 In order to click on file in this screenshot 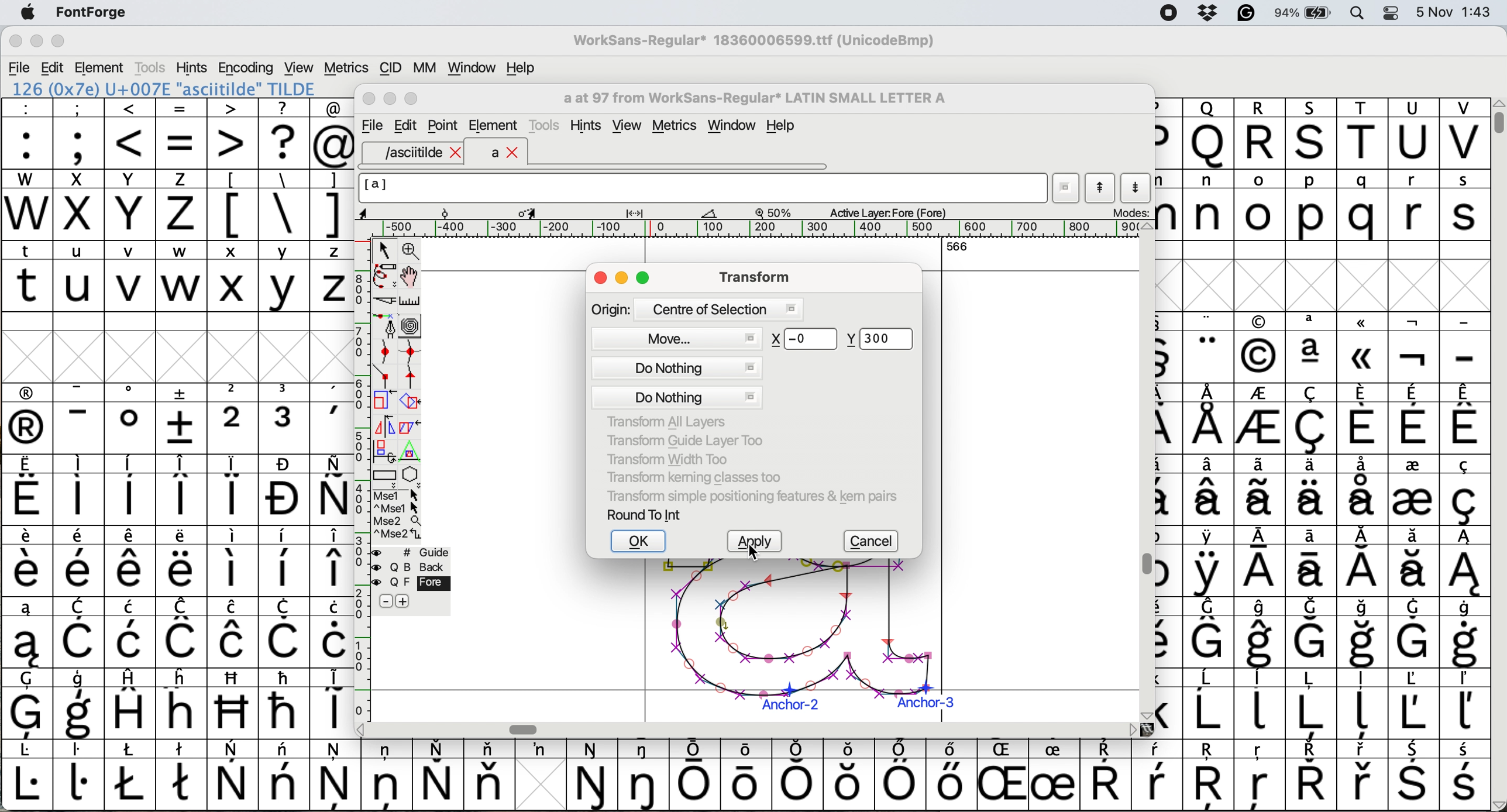, I will do `click(20, 68)`.